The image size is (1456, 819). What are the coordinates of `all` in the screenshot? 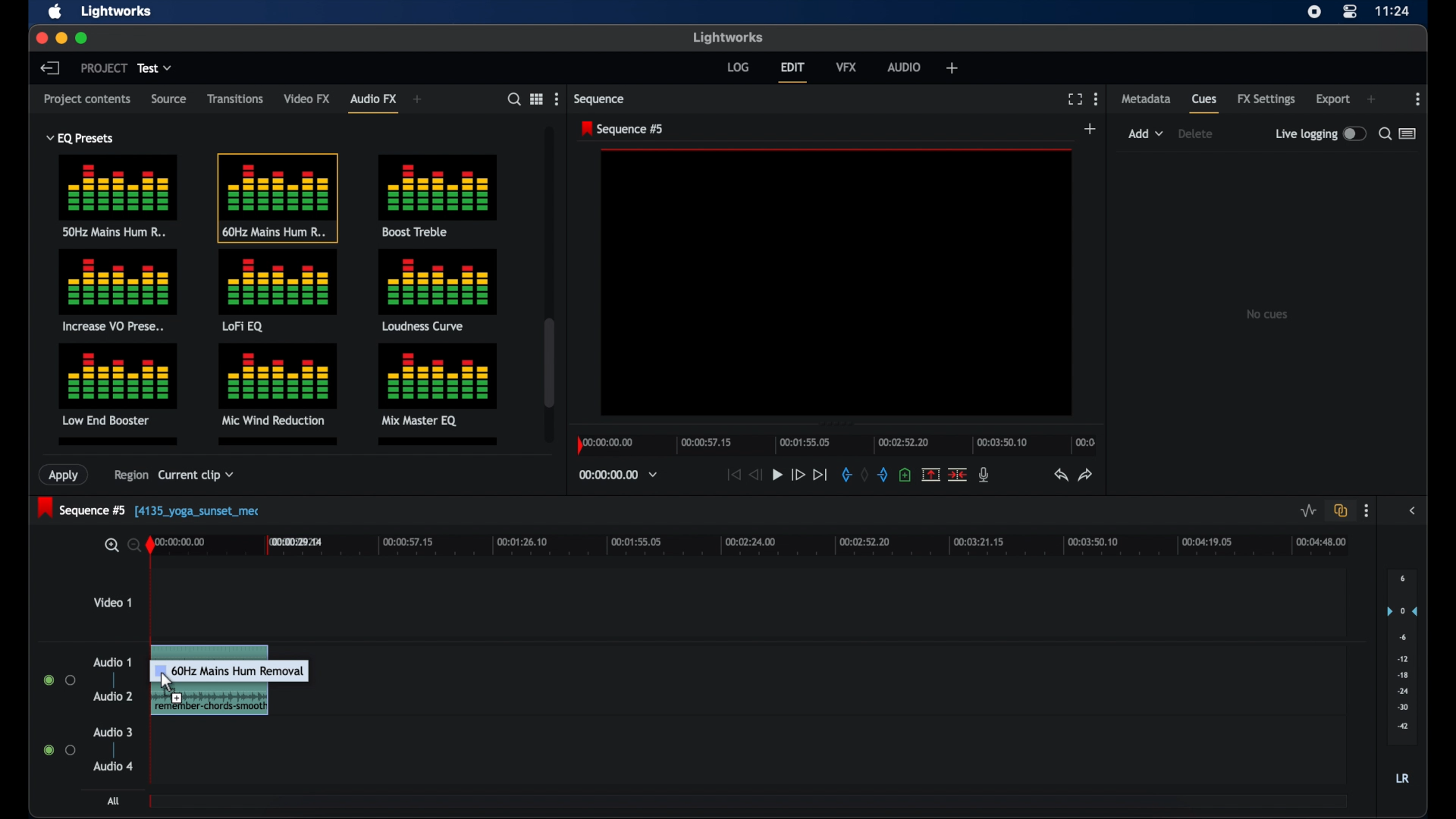 It's located at (112, 801).